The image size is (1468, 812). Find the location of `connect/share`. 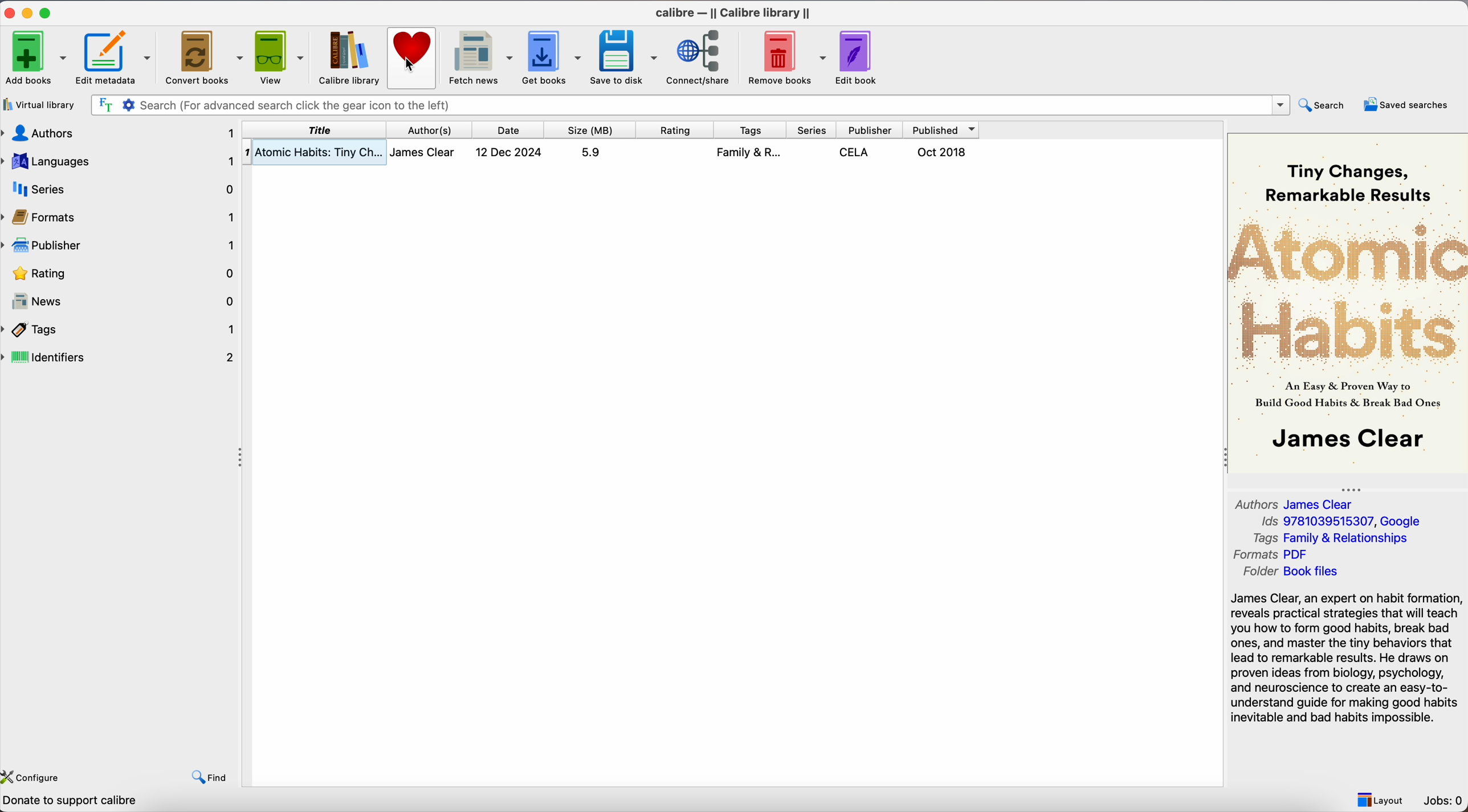

connect/share is located at coordinates (702, 58).